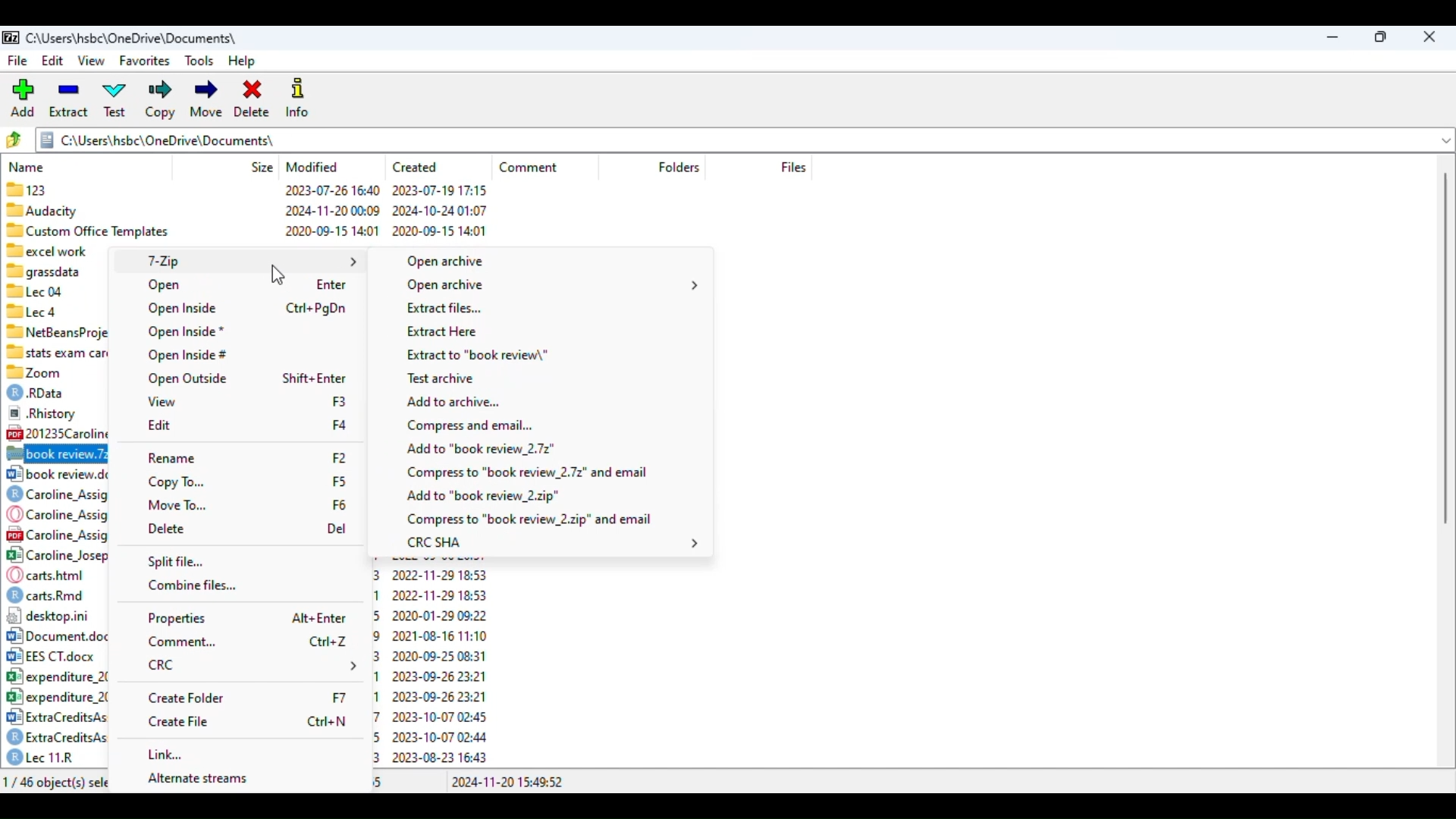 The image size is (1456, 819). Describe the element at coordinates (340, 400) in the screenshot. I see `shortcut for edit` at that location.